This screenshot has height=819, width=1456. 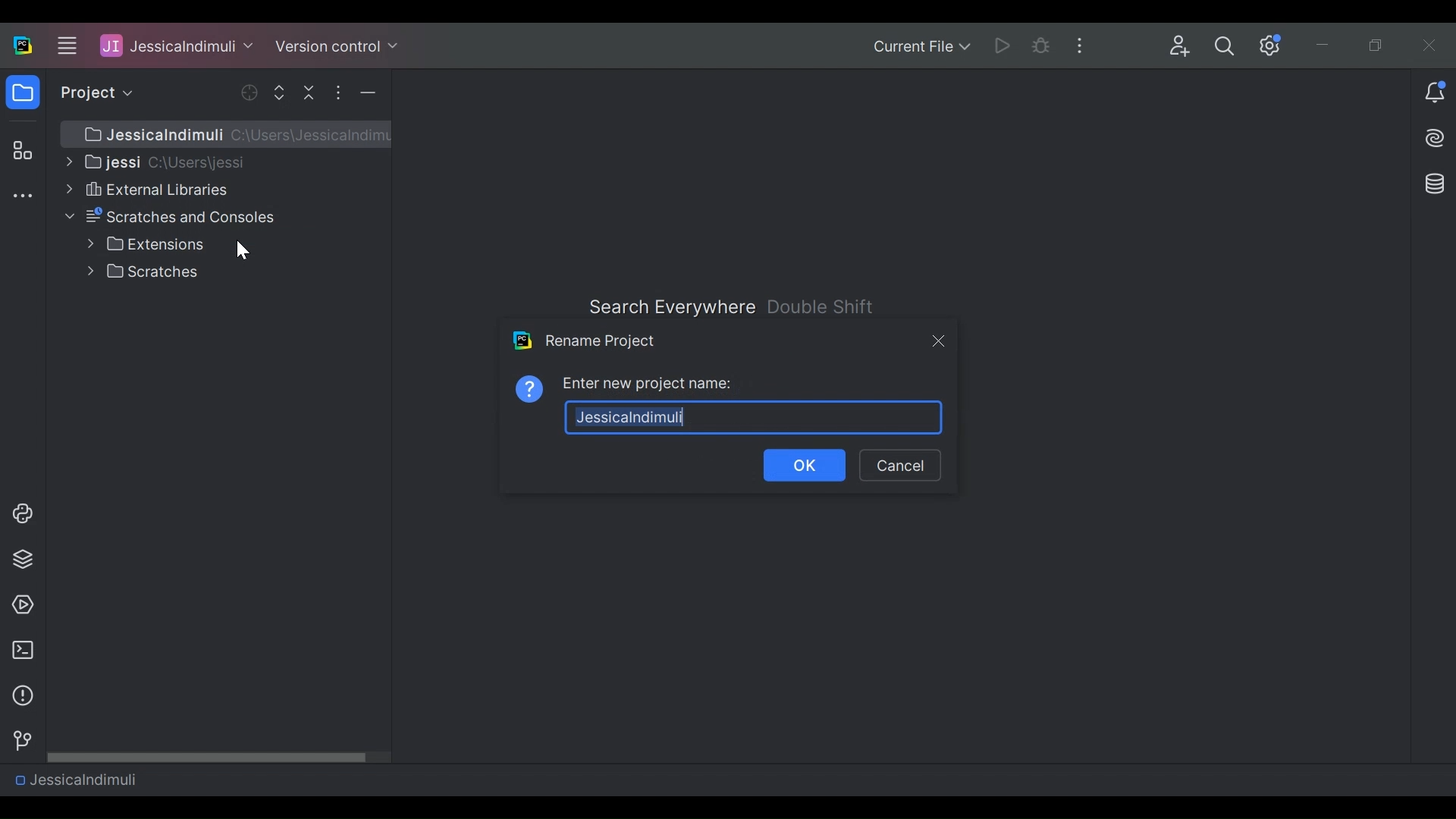 I want to click on Project Name, so click(x=75, y=779).